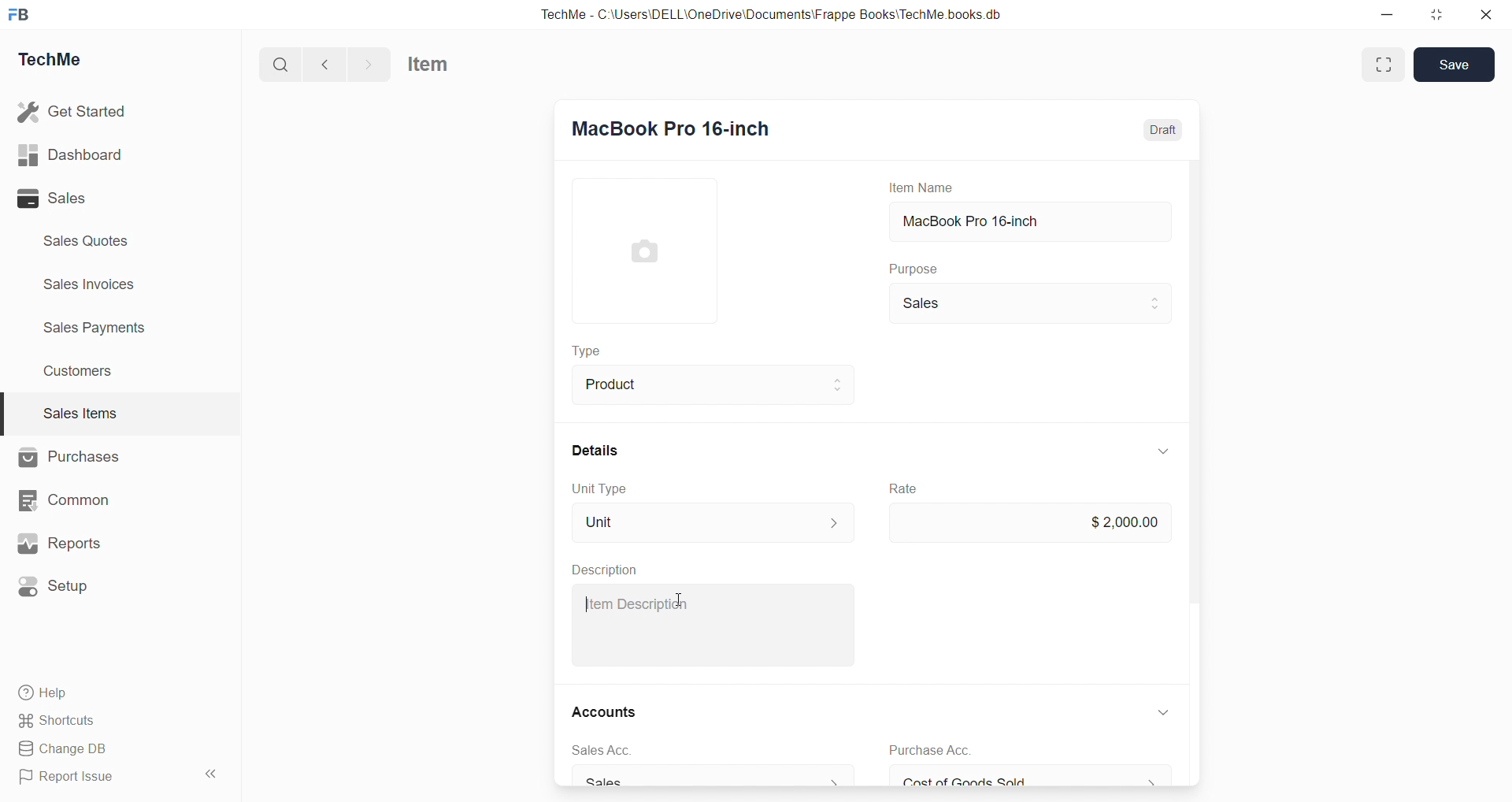  Describe the element at coordinates (54, 199) in the screenshot. I see `Sales` at that location.